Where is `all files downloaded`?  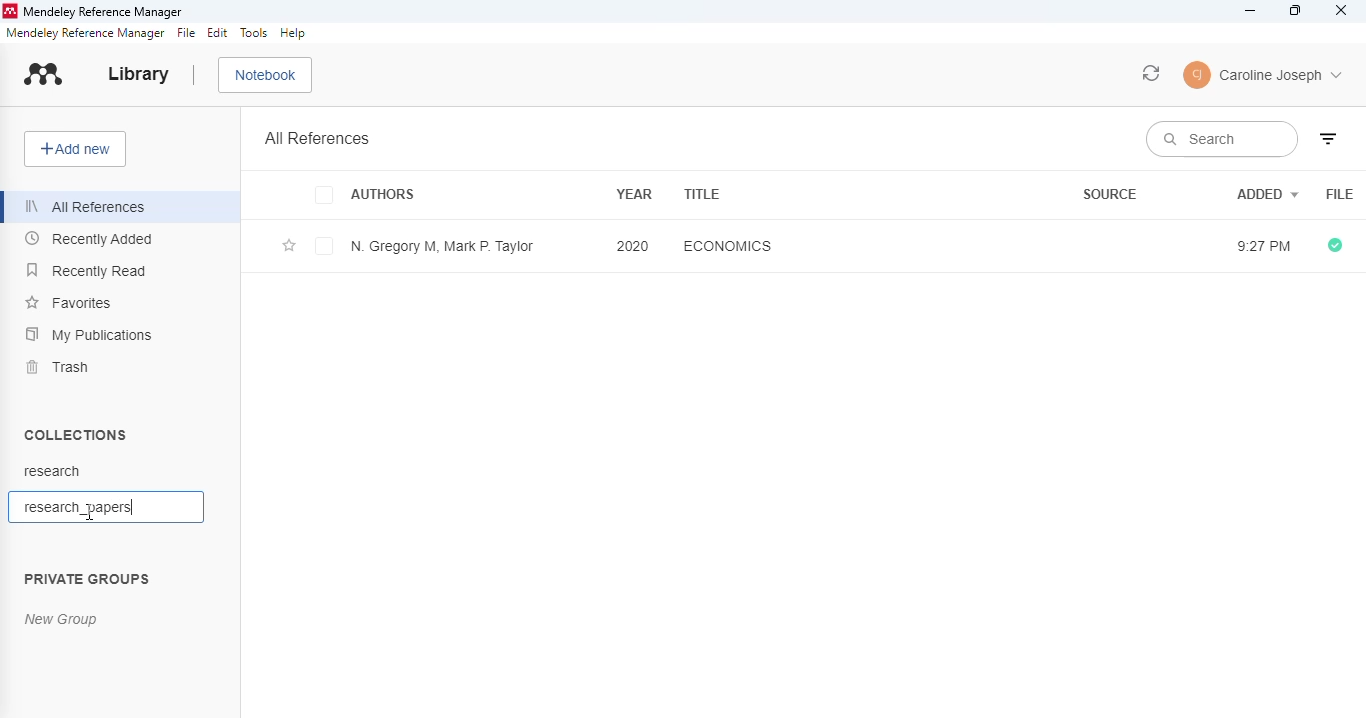 all files downloaded is located at coordinates (1335, 246).